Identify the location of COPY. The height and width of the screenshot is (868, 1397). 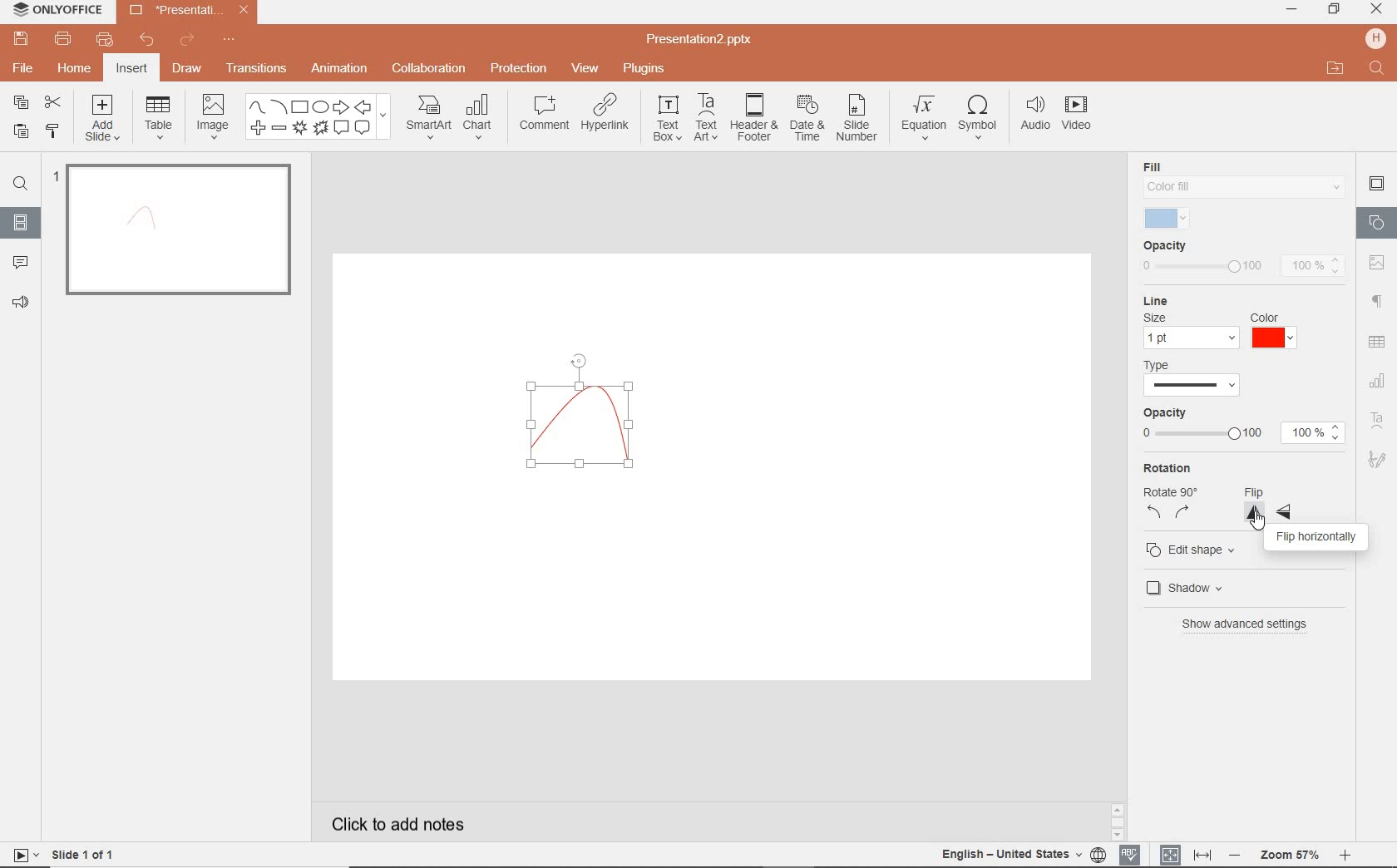
(17, 102).